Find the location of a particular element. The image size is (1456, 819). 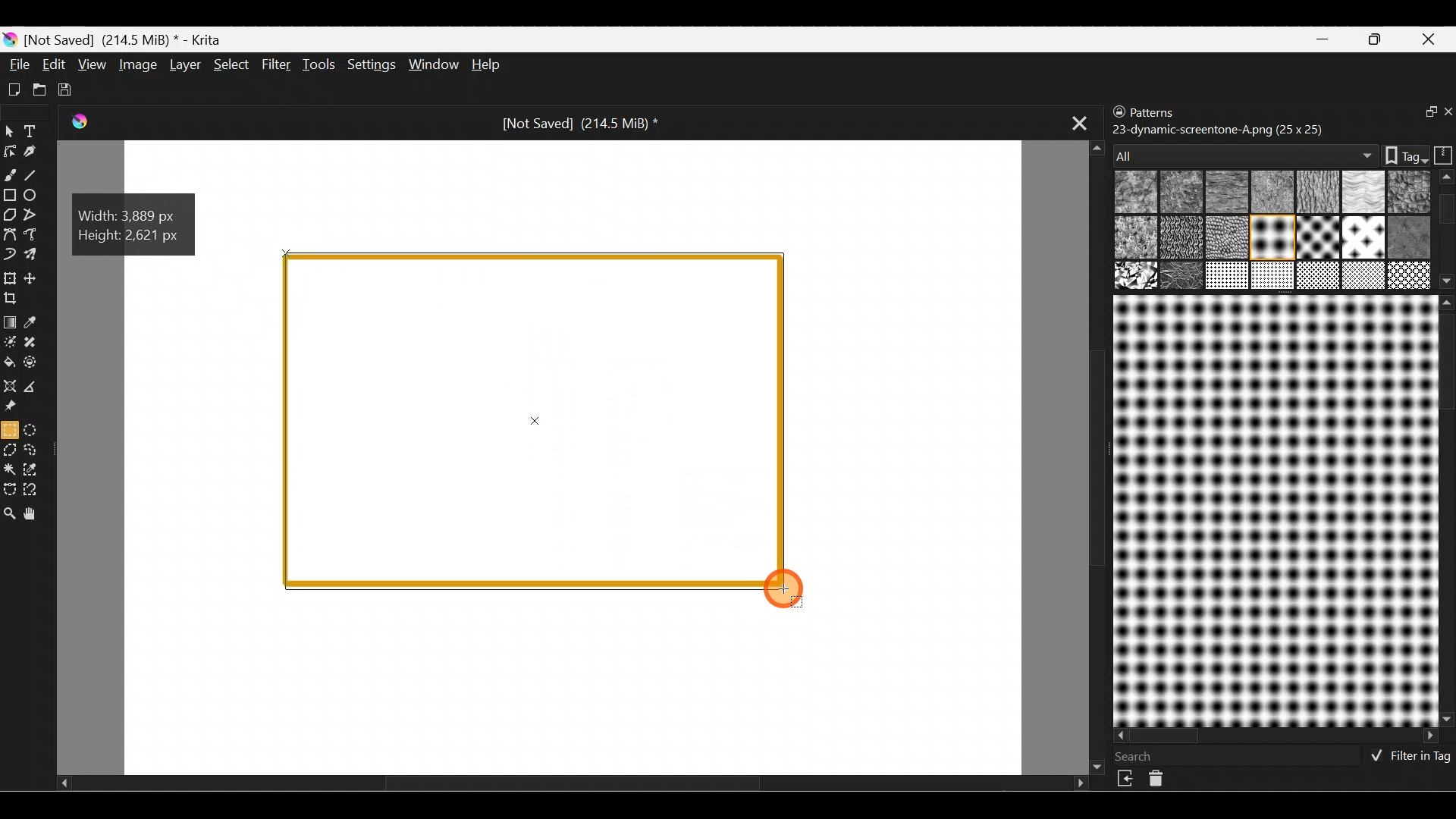

Pan tool is located at coordinates (37, 514).